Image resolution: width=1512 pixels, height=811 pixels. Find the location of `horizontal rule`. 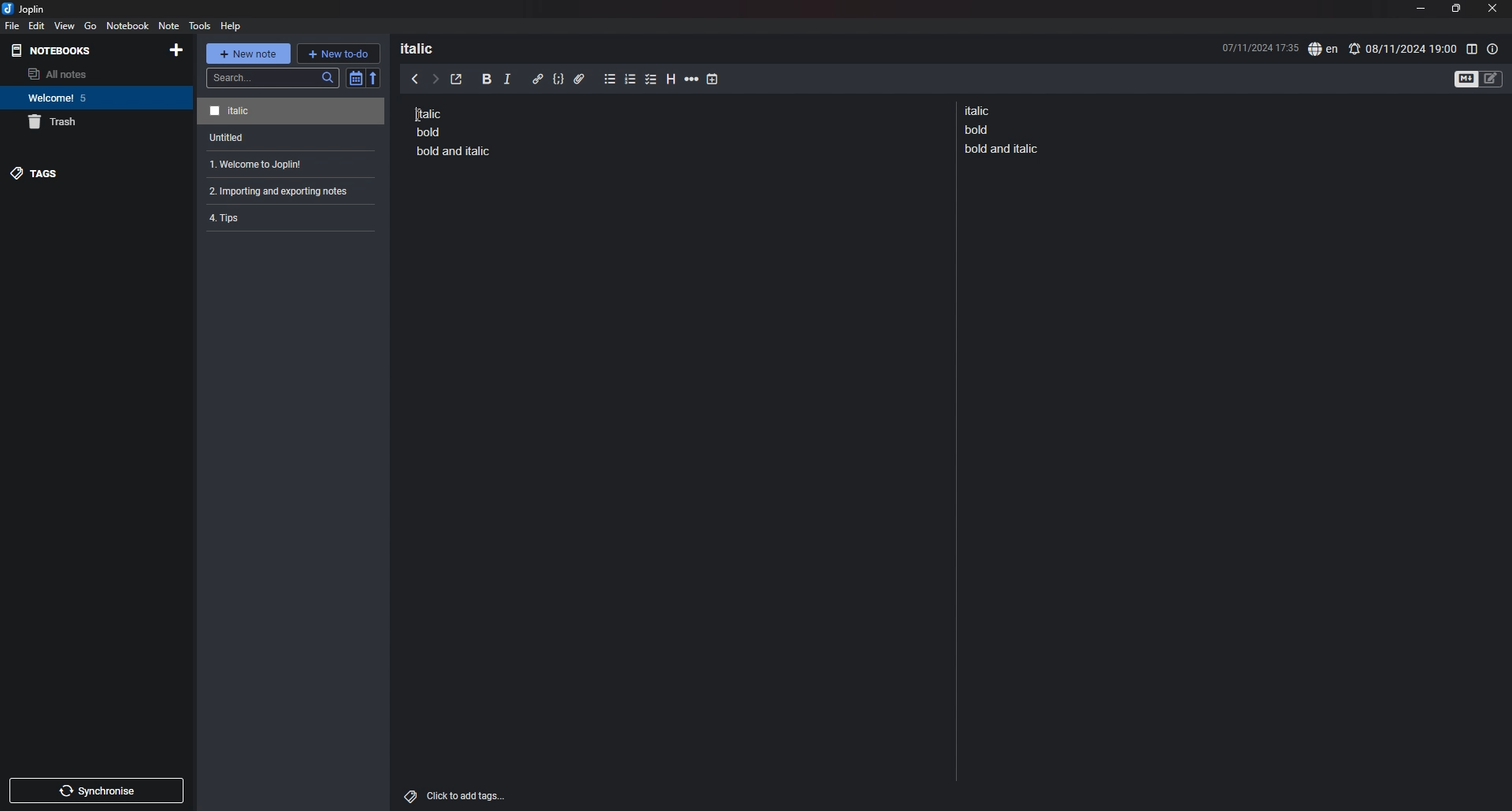

horizontal rule is located at coordinates (691, 81).